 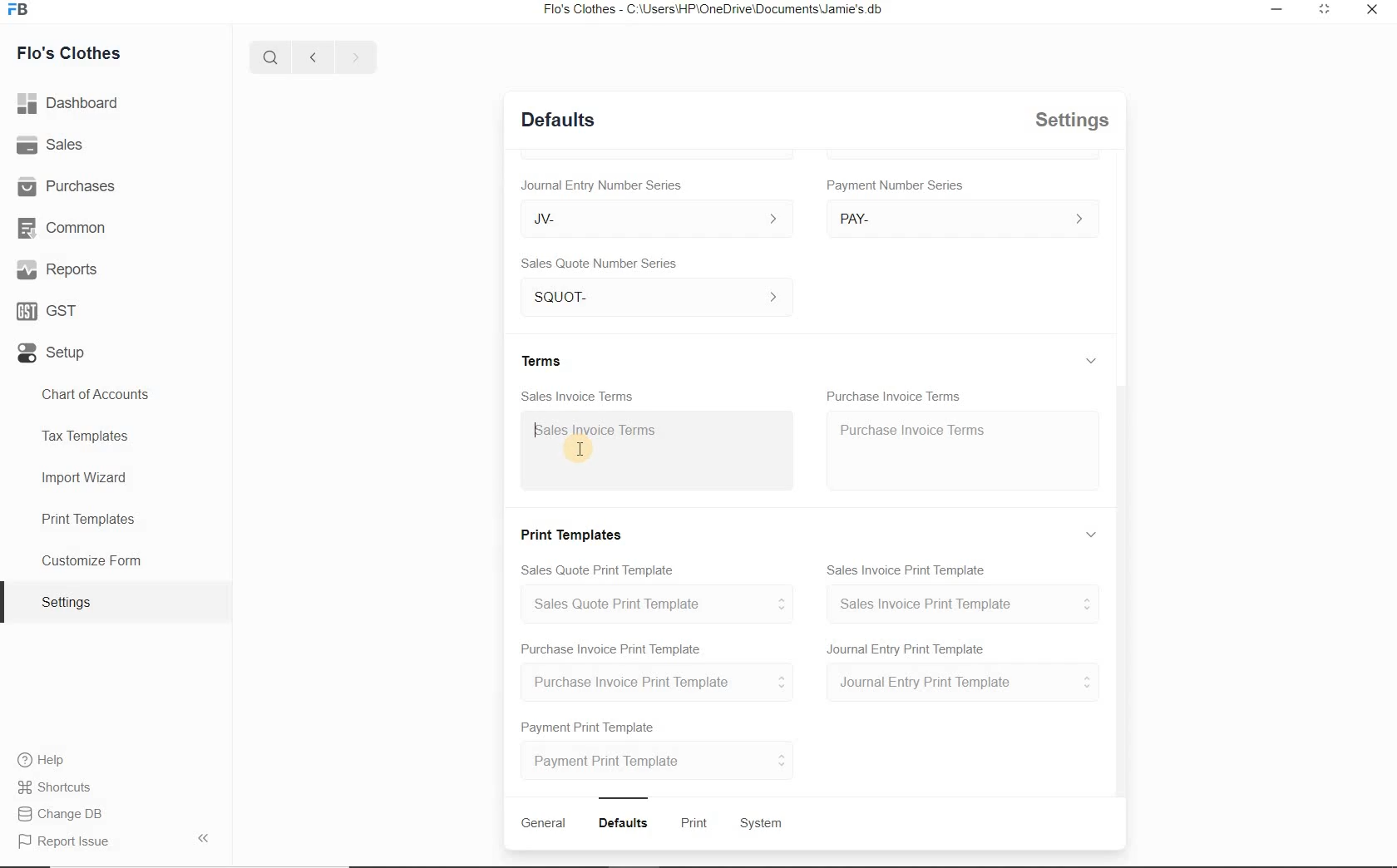 What do you see at coordinates (600, 182) in the screenshot?
I see `Journal Entry Number Series` at bounding box center [600, 182].